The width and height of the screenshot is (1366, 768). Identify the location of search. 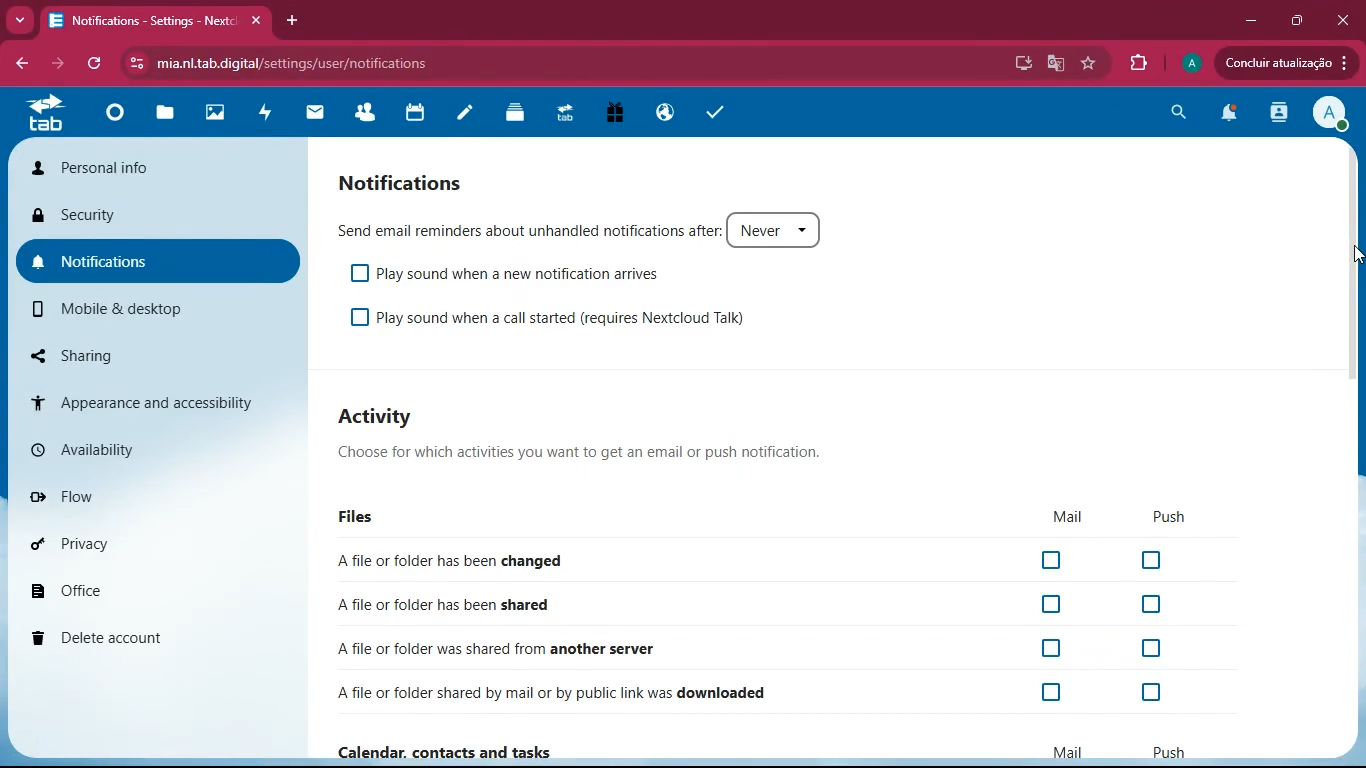
(1178, 113).